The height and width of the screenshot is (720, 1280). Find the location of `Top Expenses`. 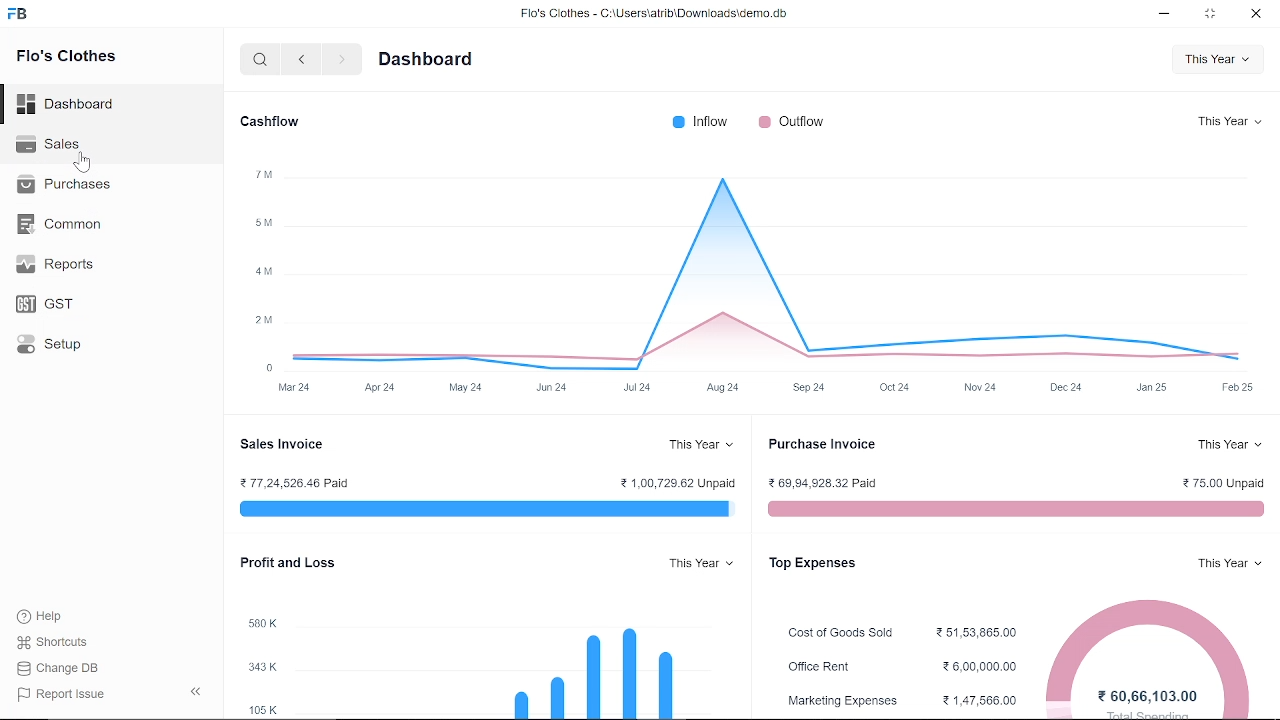

Top Expenses is located at coordinates (813, 564).